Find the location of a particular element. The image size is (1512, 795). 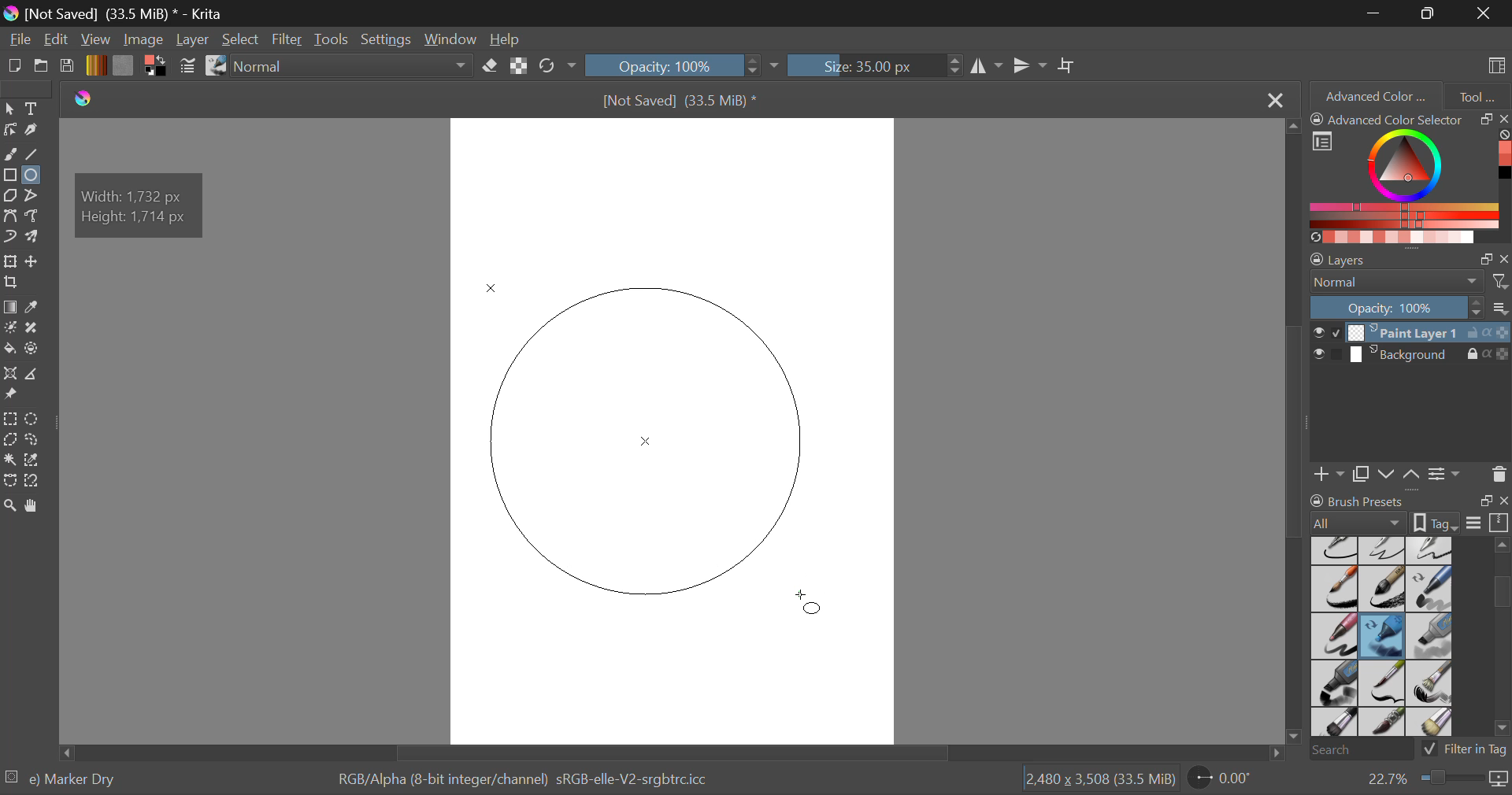

Smart Patch Tool is located at coordinates (35, 329).